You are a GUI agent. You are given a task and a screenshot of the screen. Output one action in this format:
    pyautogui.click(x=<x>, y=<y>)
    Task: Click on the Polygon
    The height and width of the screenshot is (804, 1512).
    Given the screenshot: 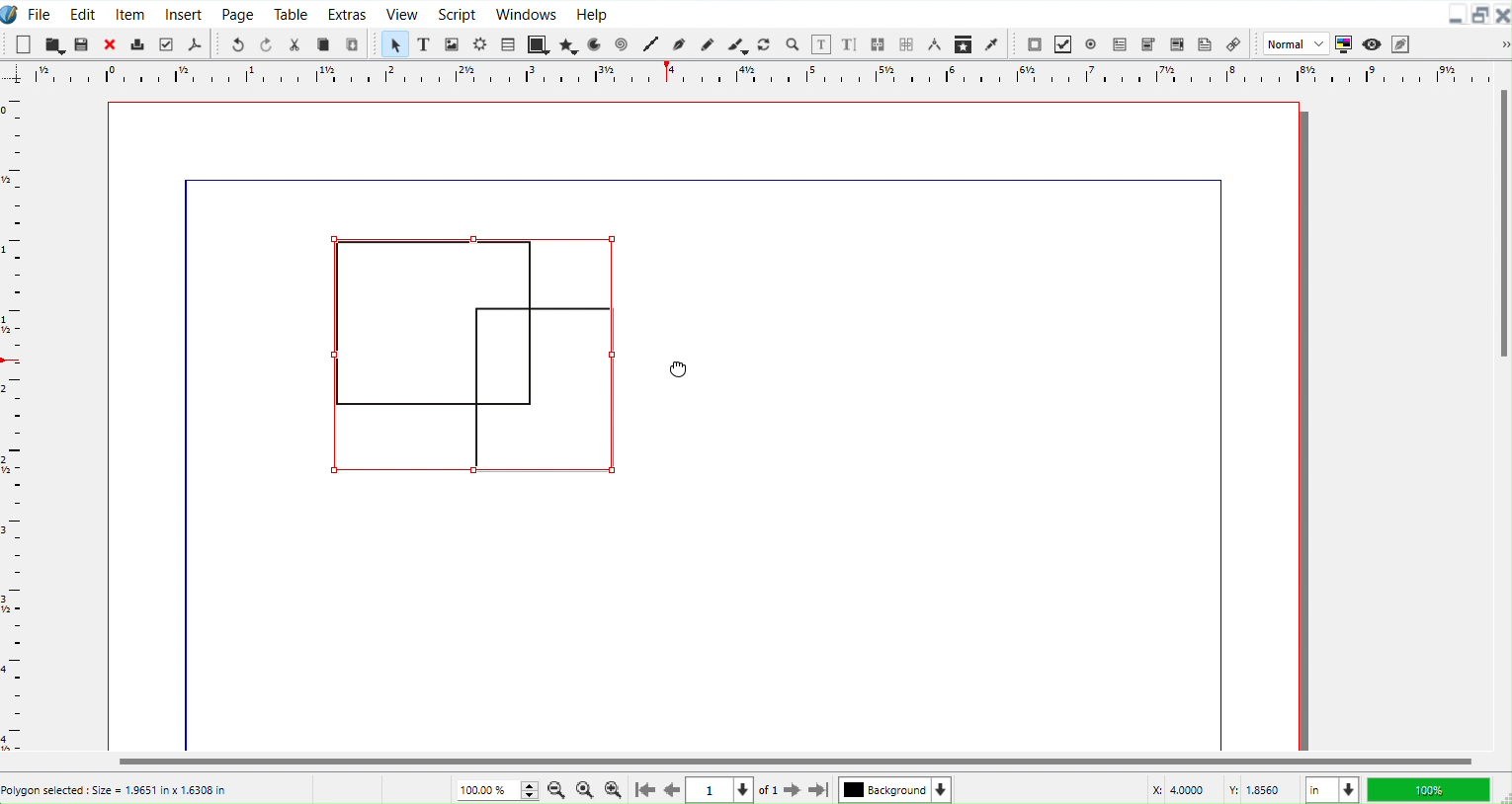 What is the action you would take?
    pyautogui.click(x=569, y=45)
    